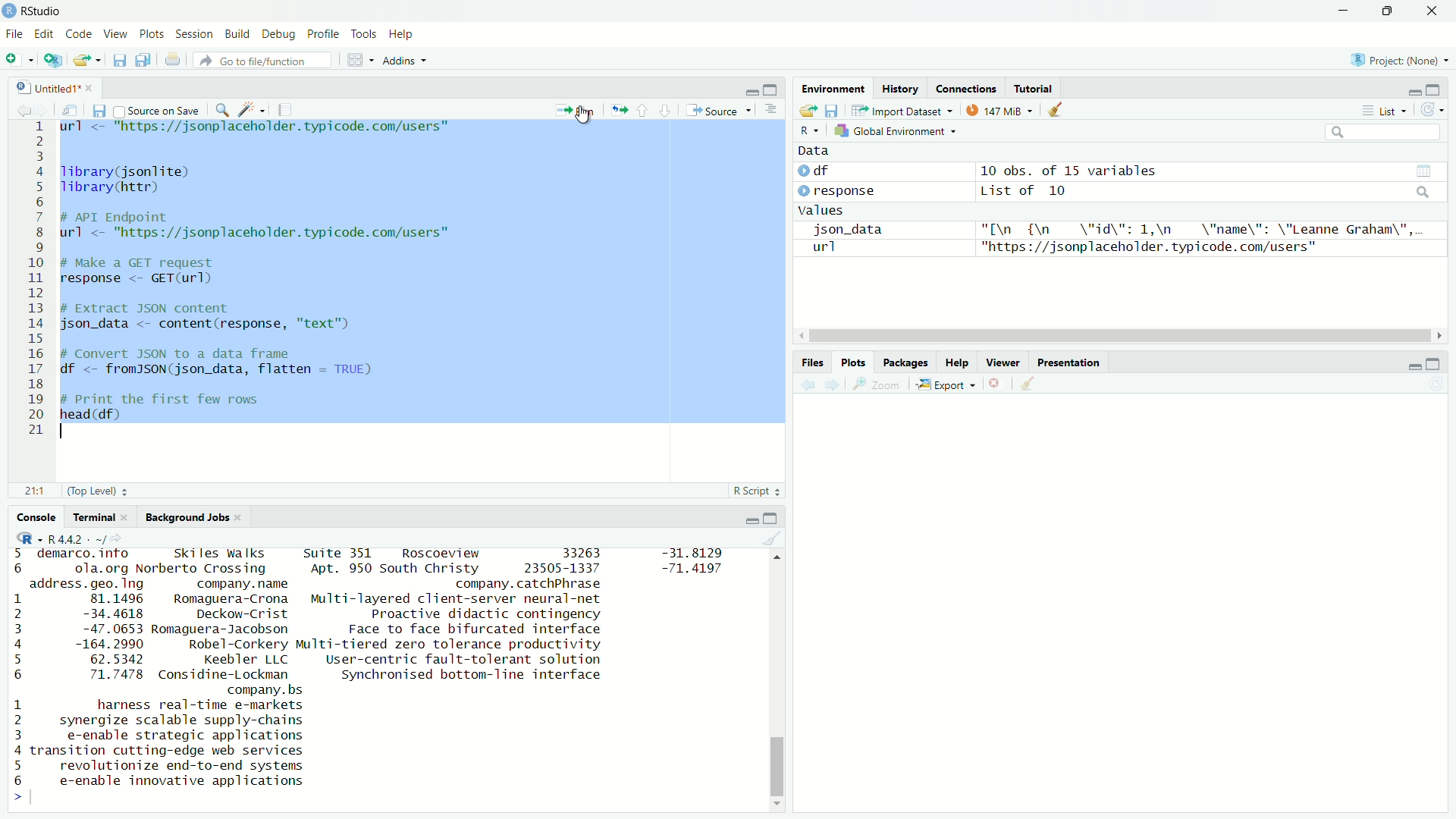  What do you see at coordinates (402, 35) in the screenshot?
I see `Help` at bounding box center [402, 35].